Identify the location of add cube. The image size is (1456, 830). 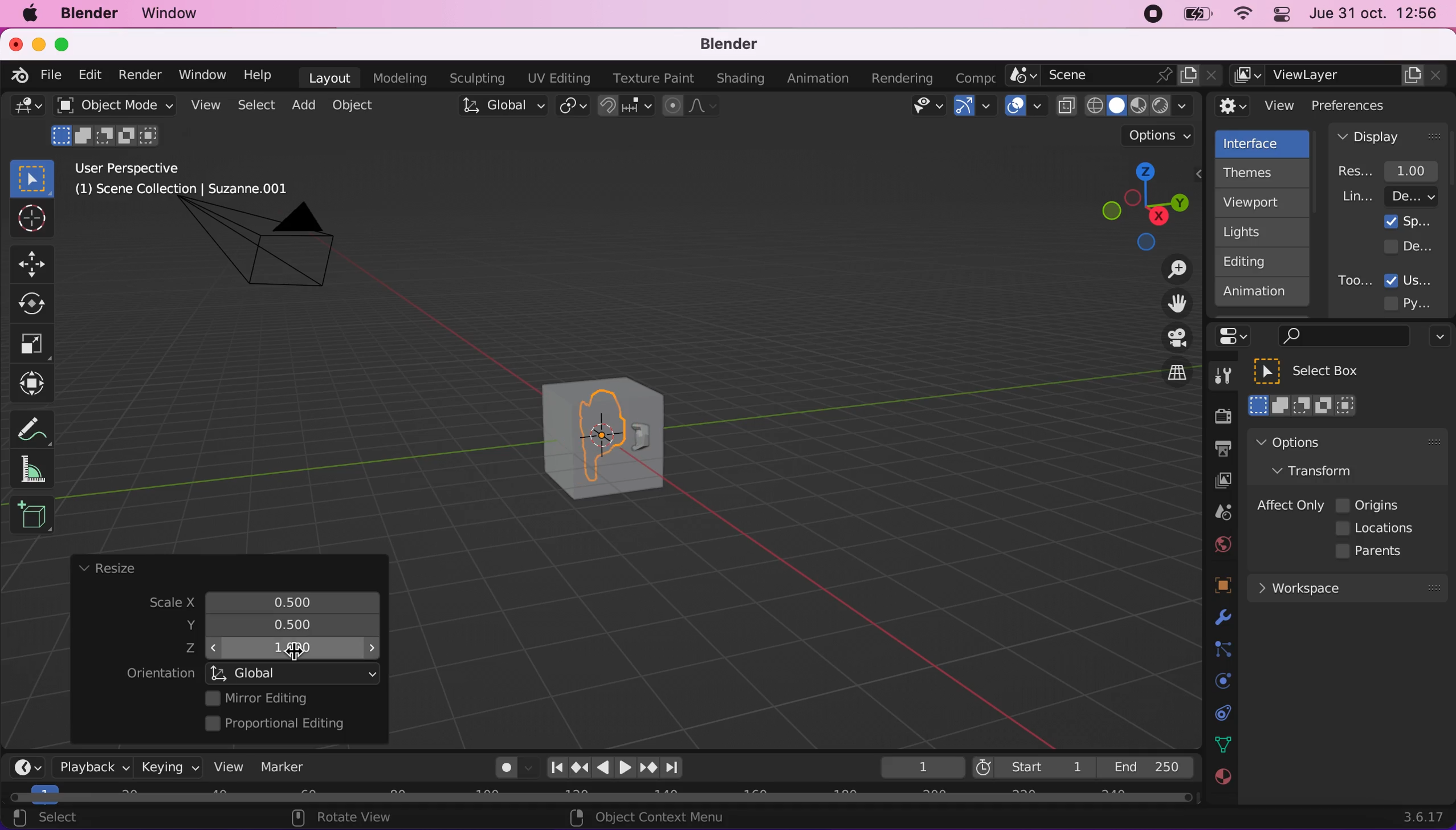
(32, 516).